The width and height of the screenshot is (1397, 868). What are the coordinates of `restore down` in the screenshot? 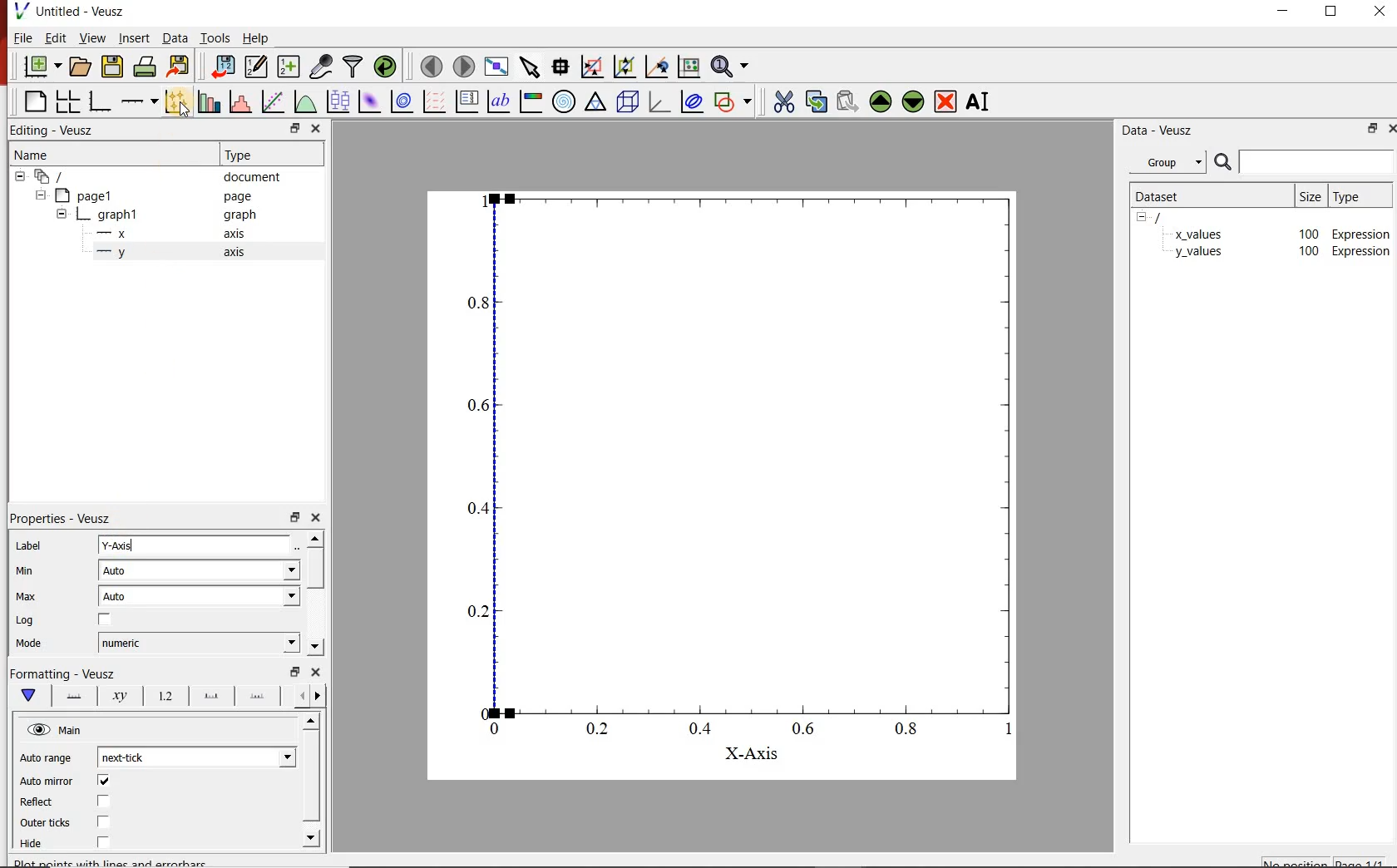 It's located at (1369, 128).